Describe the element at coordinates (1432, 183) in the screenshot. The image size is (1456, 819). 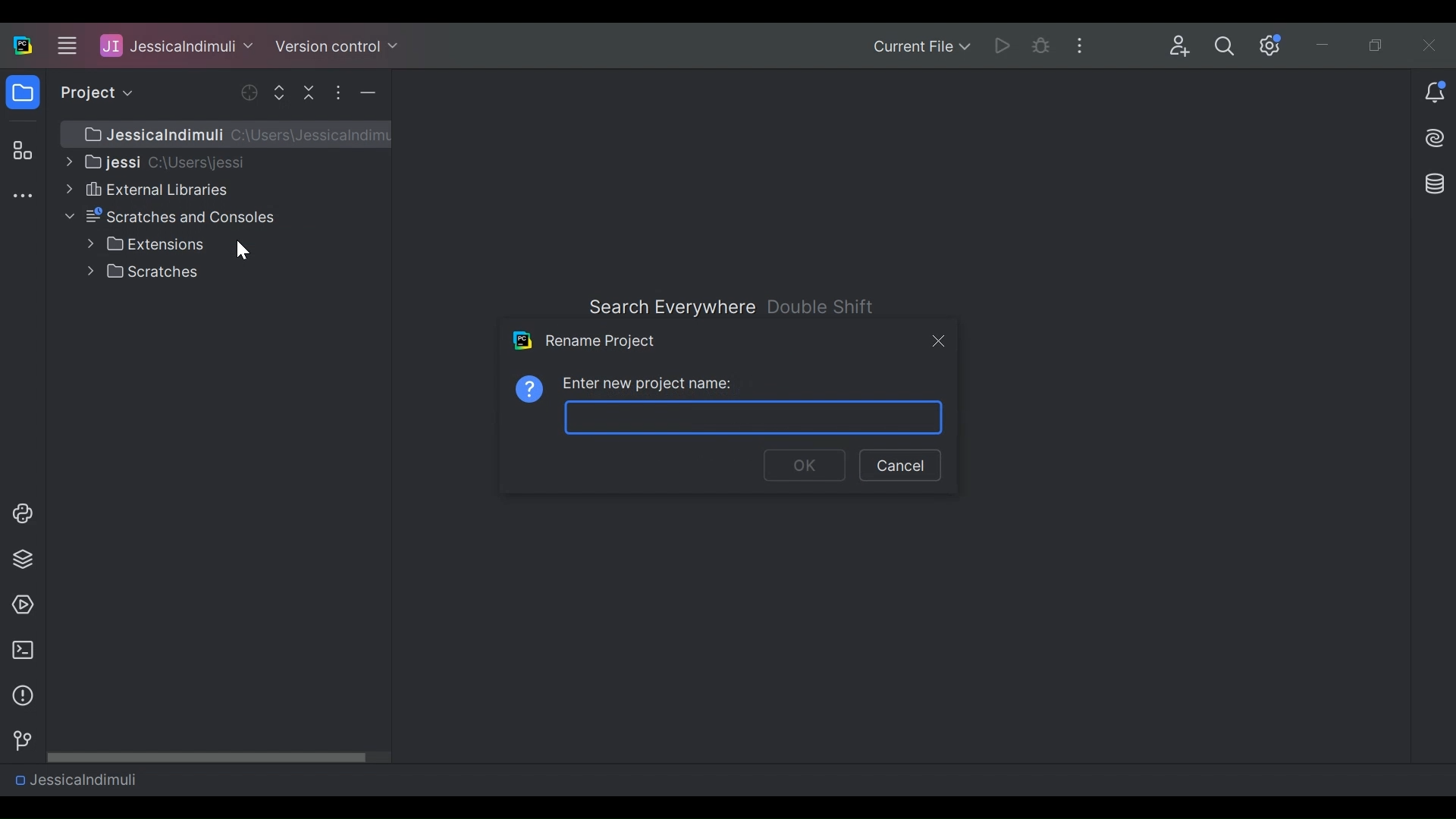
I see `Database` at that location.